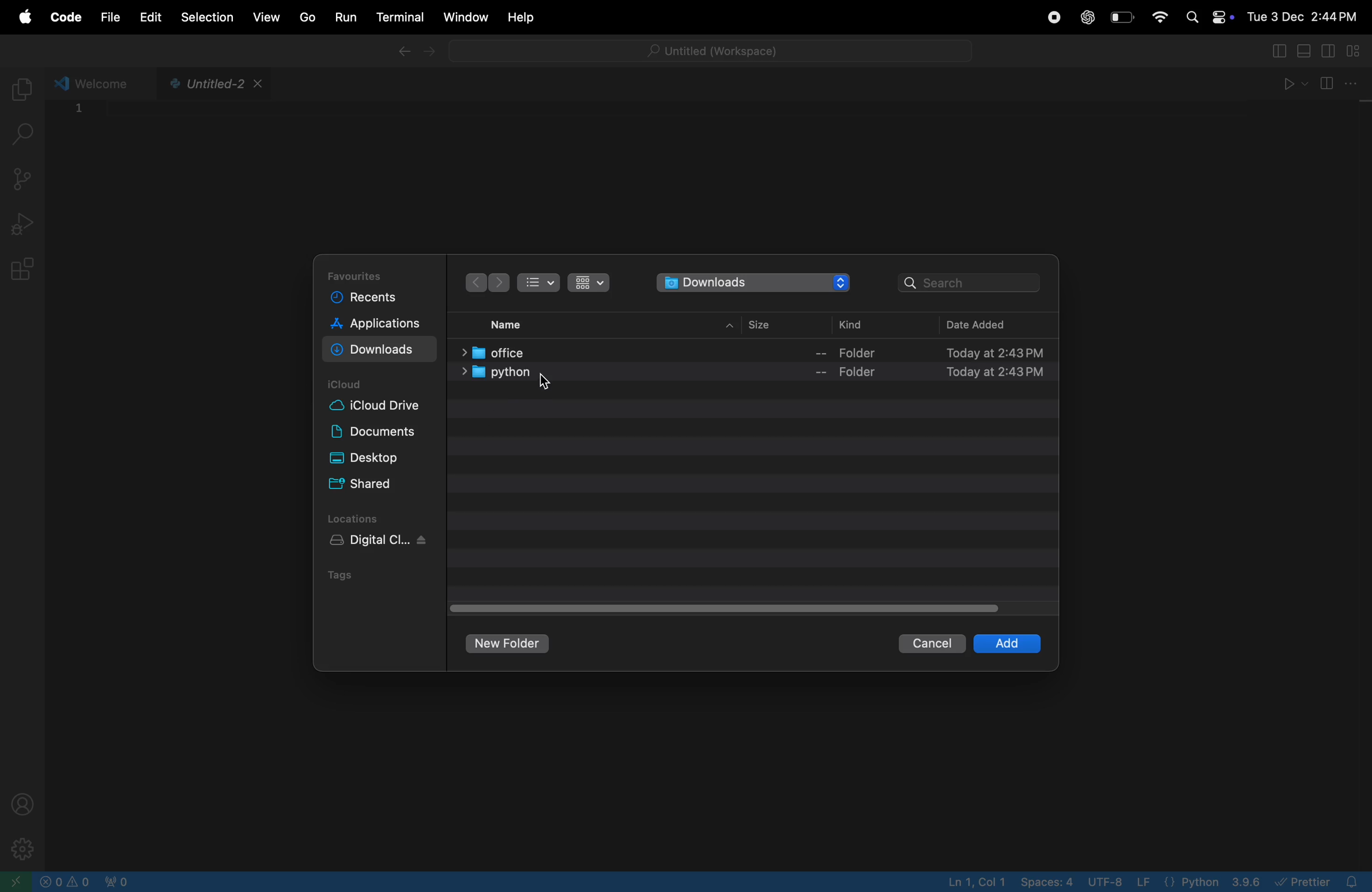  I want to click on date added, so click(981, 324).